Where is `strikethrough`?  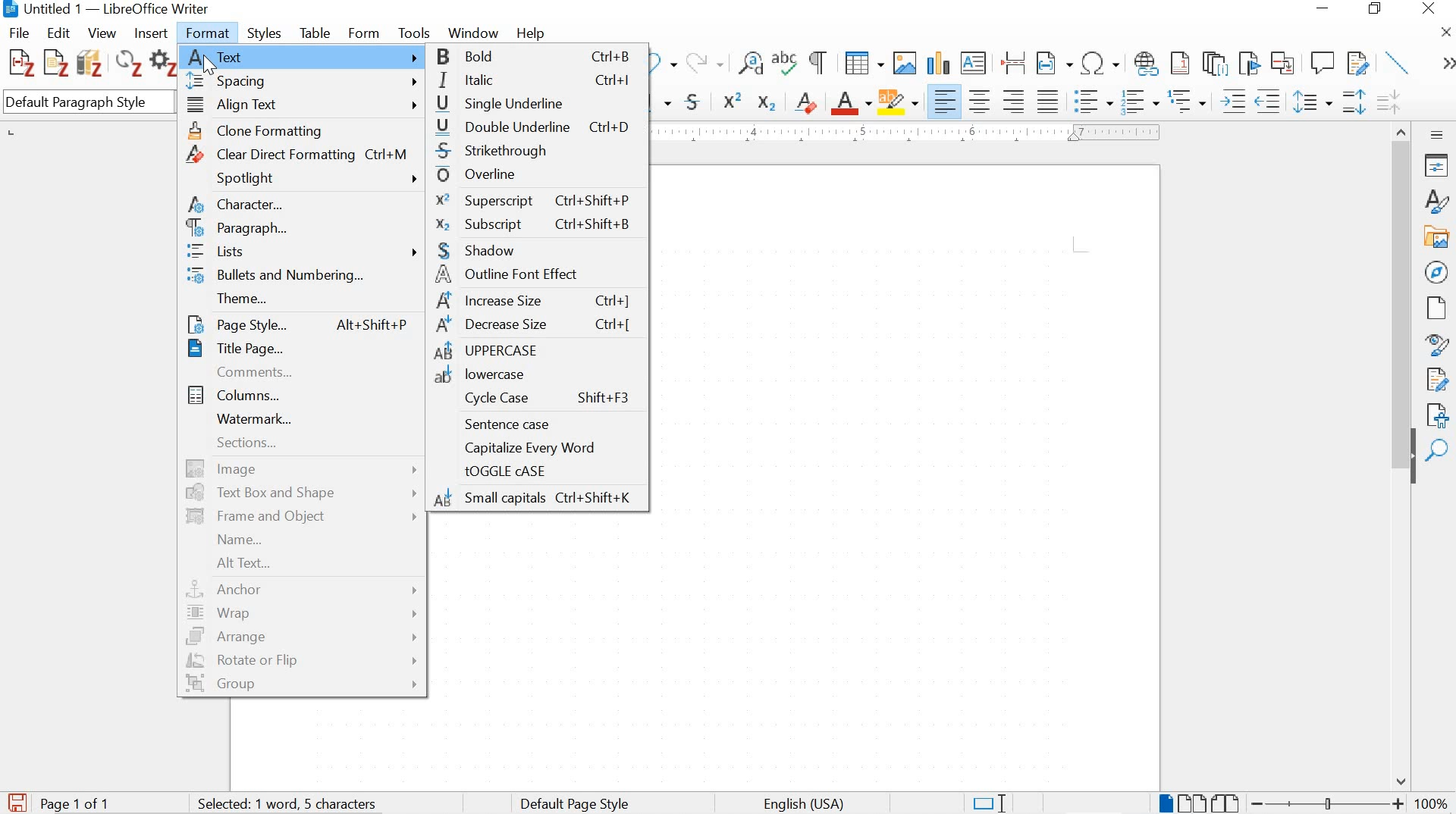
strikethrough is located at coordinates (696, 102).